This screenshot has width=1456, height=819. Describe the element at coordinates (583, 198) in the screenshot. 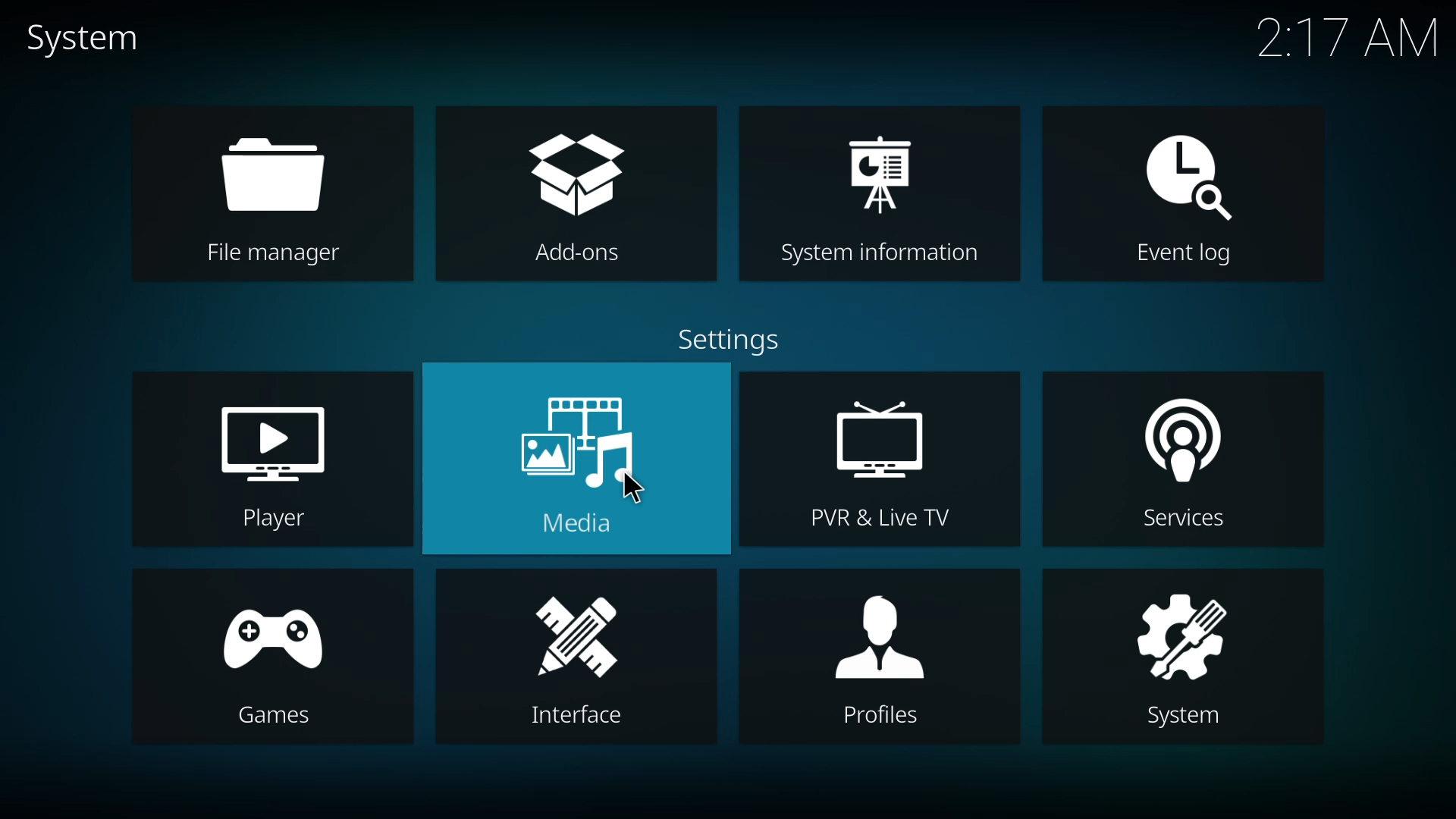

I see `add-ons` at that location.